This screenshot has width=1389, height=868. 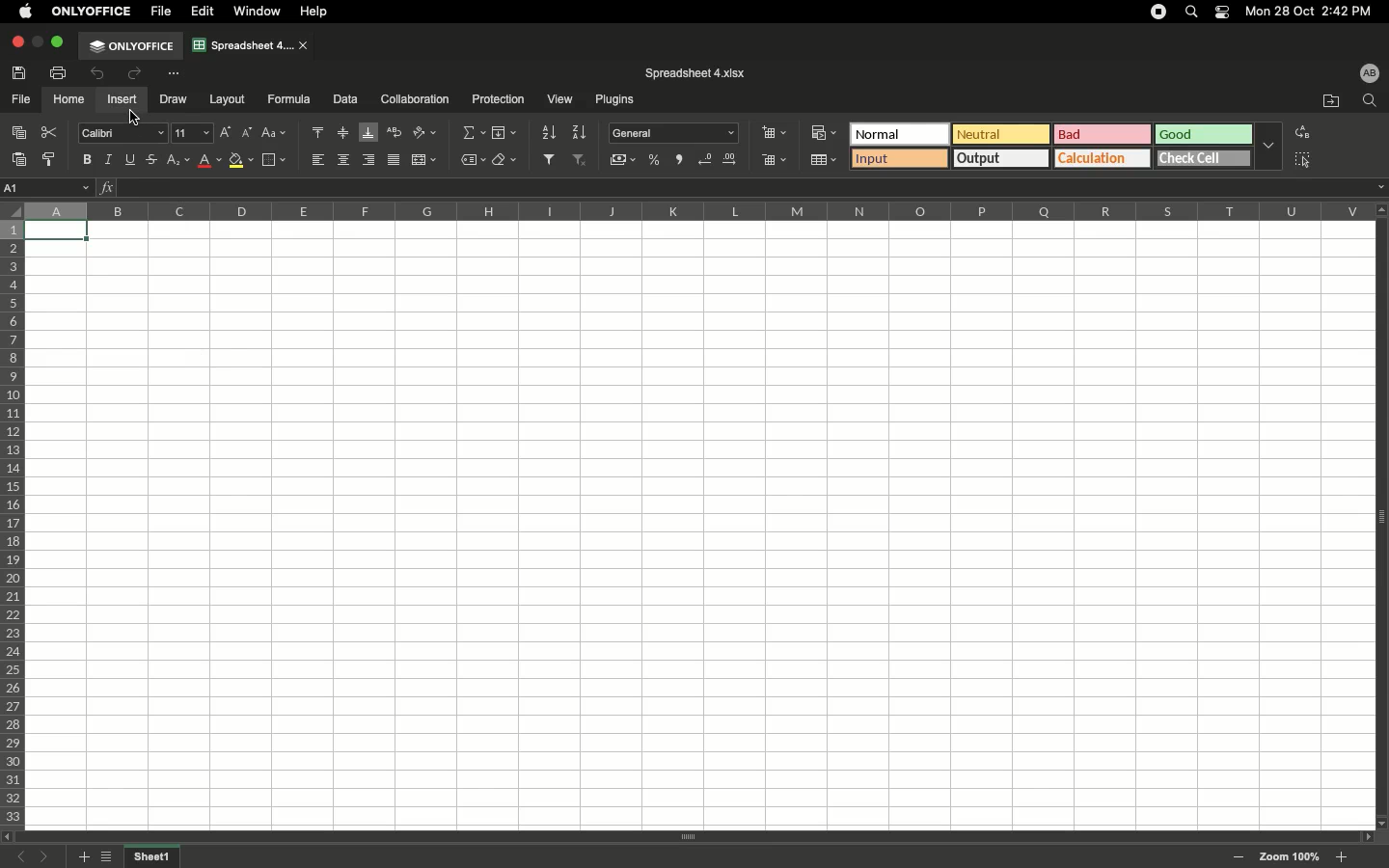 What do you see at coordinates (60, 41) in the screenshot?
I see `Maximize` at bounding box center [60, 41].